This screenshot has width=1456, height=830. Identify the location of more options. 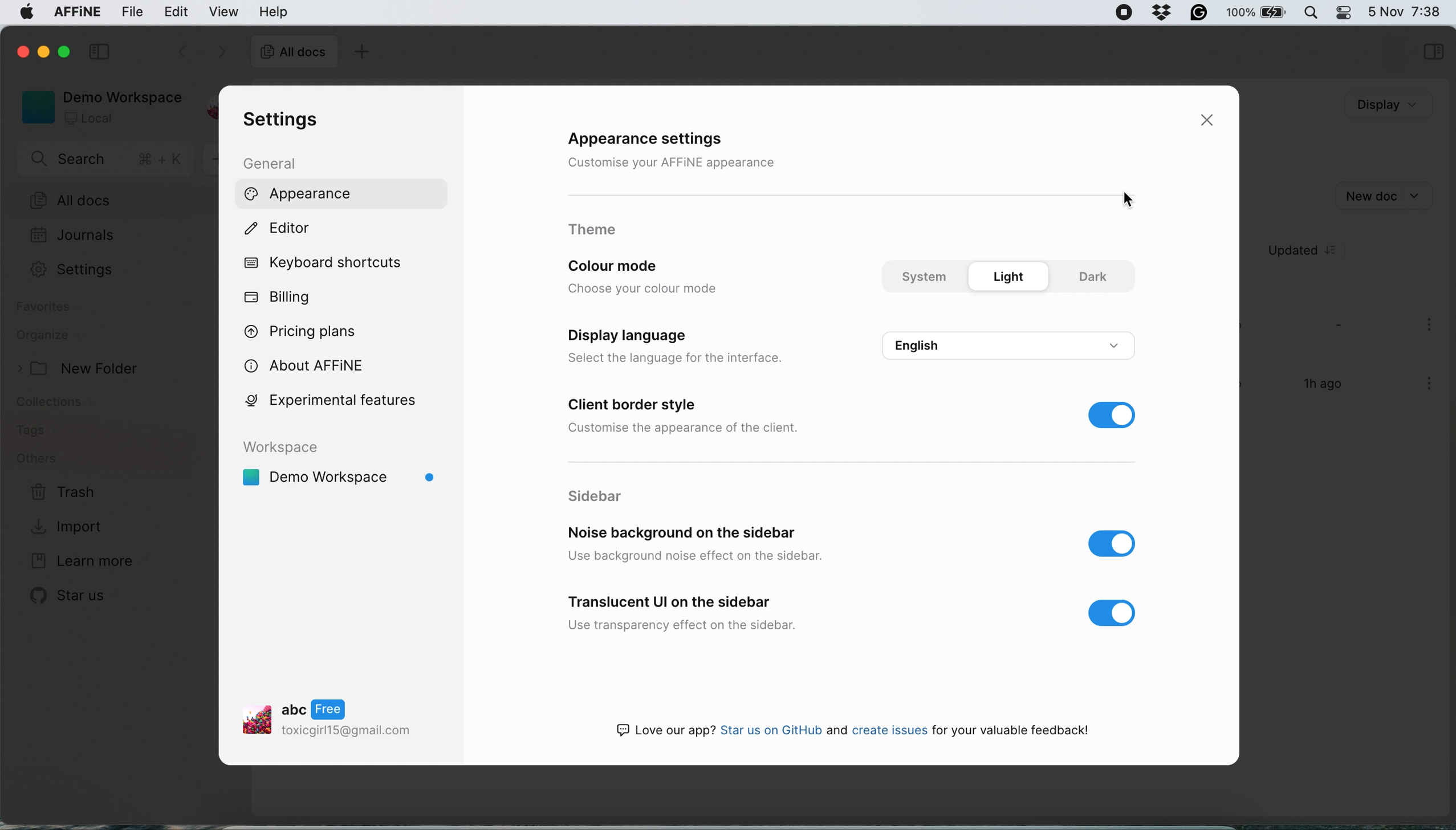
(1425, 385).